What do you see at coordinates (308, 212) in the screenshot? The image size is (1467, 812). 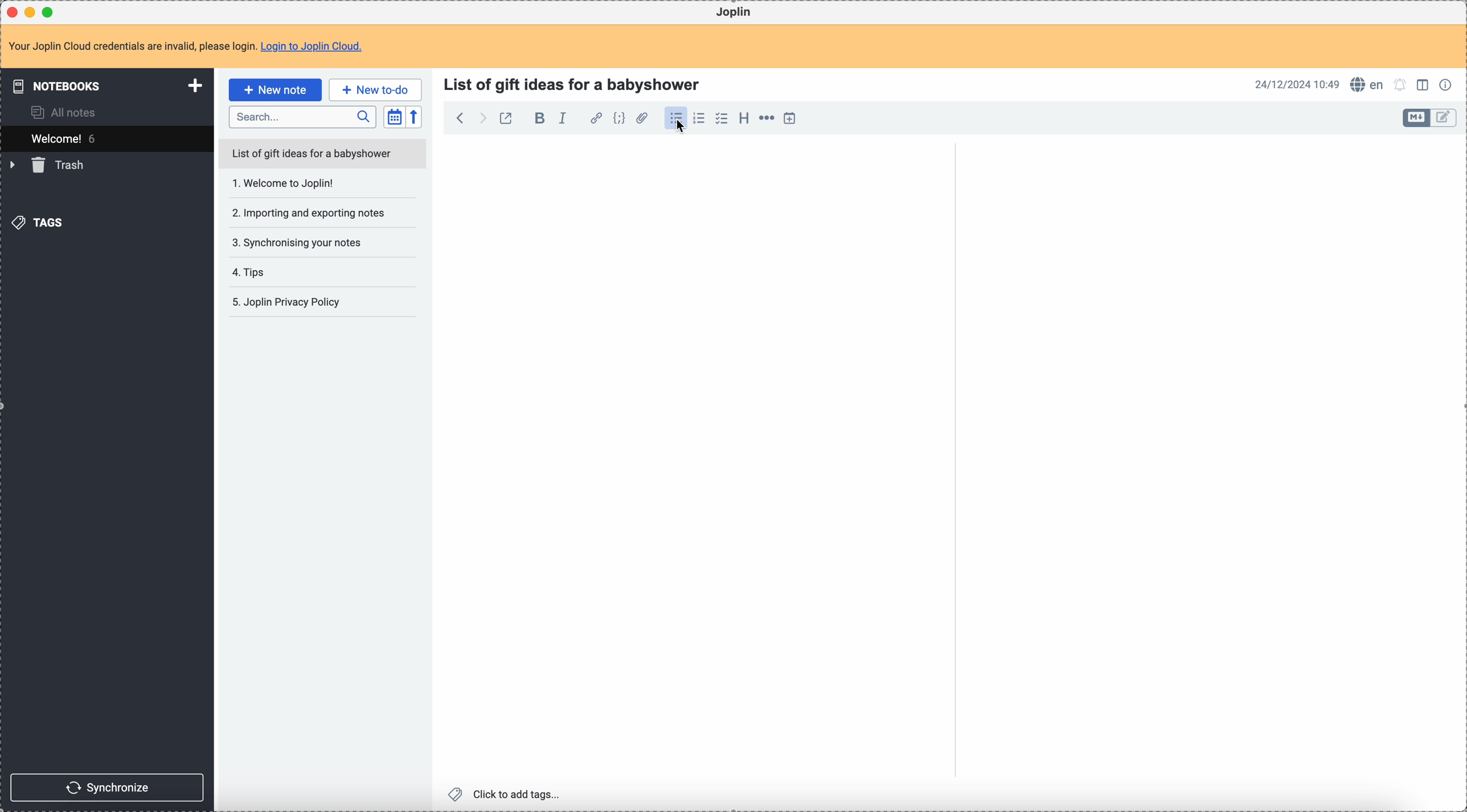 I see `importing and exporting notes` at bounding box center [308, 212].